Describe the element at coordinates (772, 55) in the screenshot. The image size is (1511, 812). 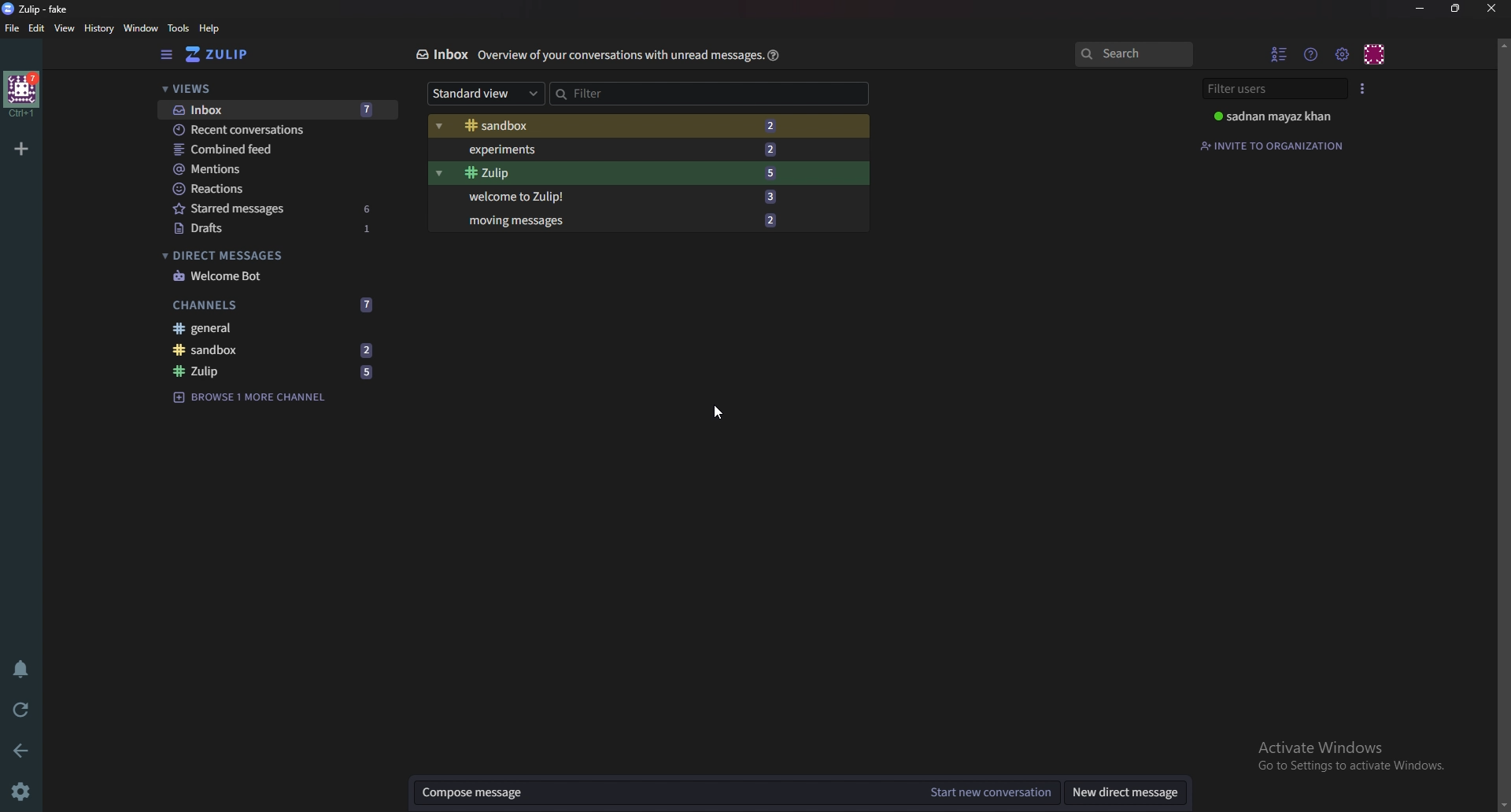
I see `Help` at that location.